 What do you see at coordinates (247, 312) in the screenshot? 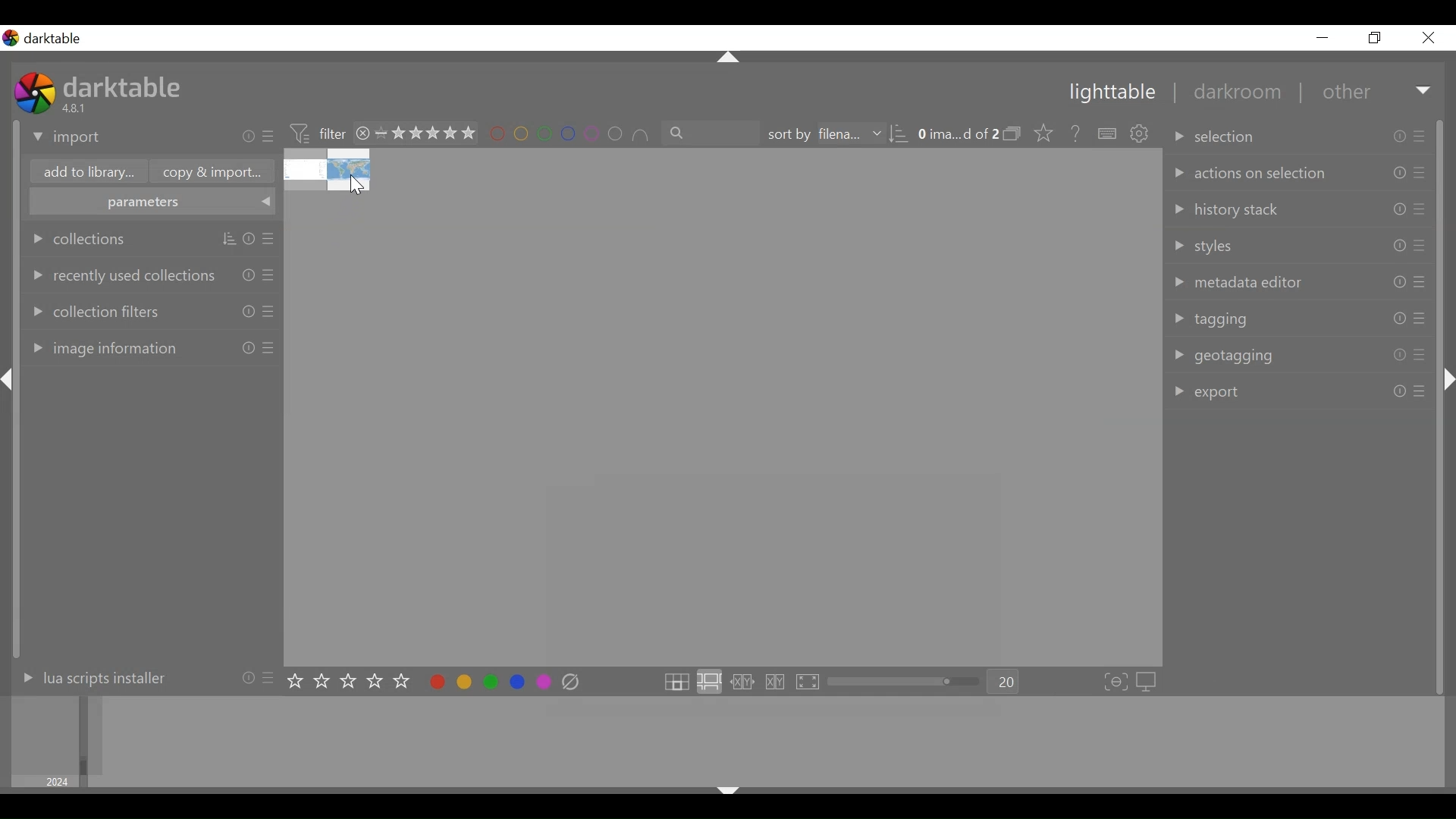
I see `` at bounding box center [247, 312].